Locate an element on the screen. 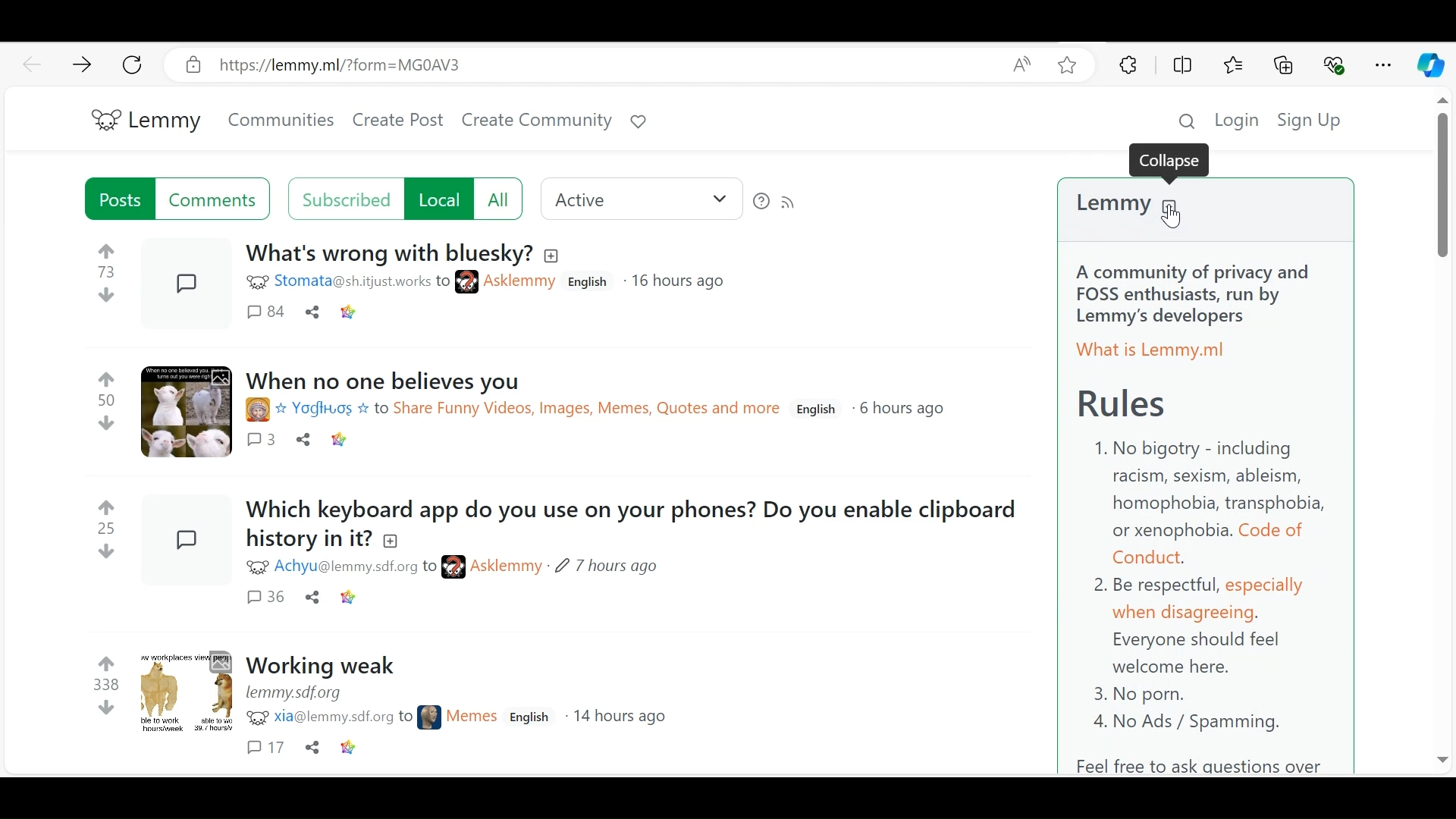  links is located at coordinates (529, 410).